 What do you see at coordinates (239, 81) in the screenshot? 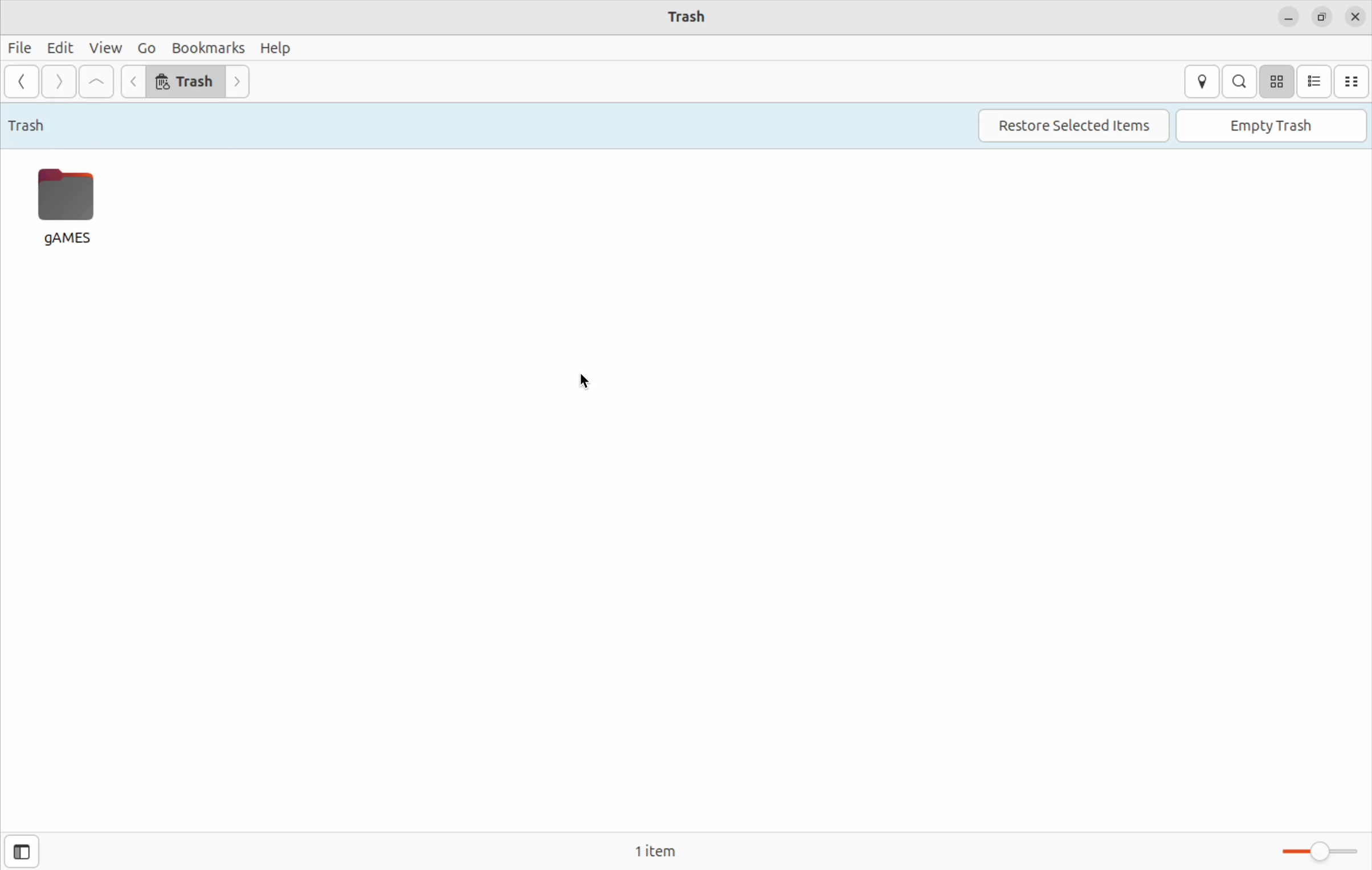
I see `Go next` at bounding box center [239, 81].